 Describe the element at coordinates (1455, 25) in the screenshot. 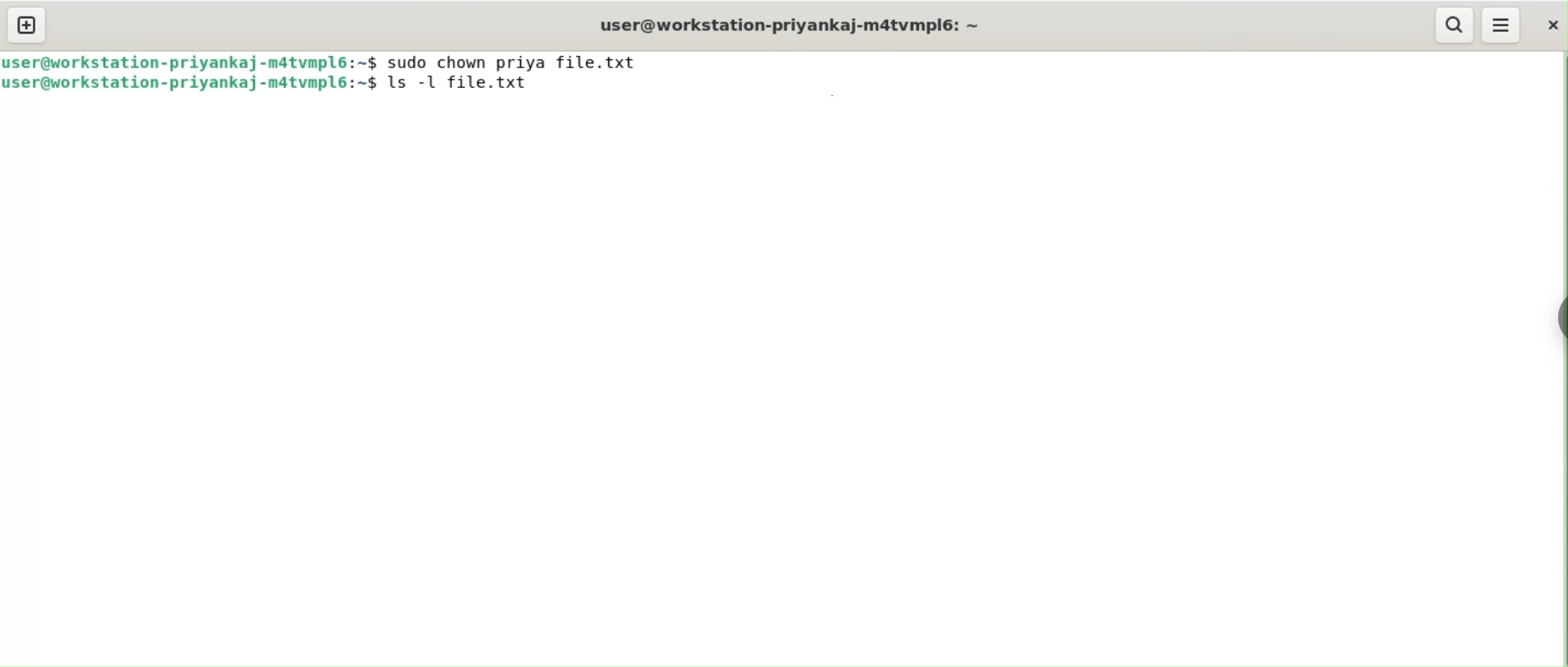

I see `search` at that location.